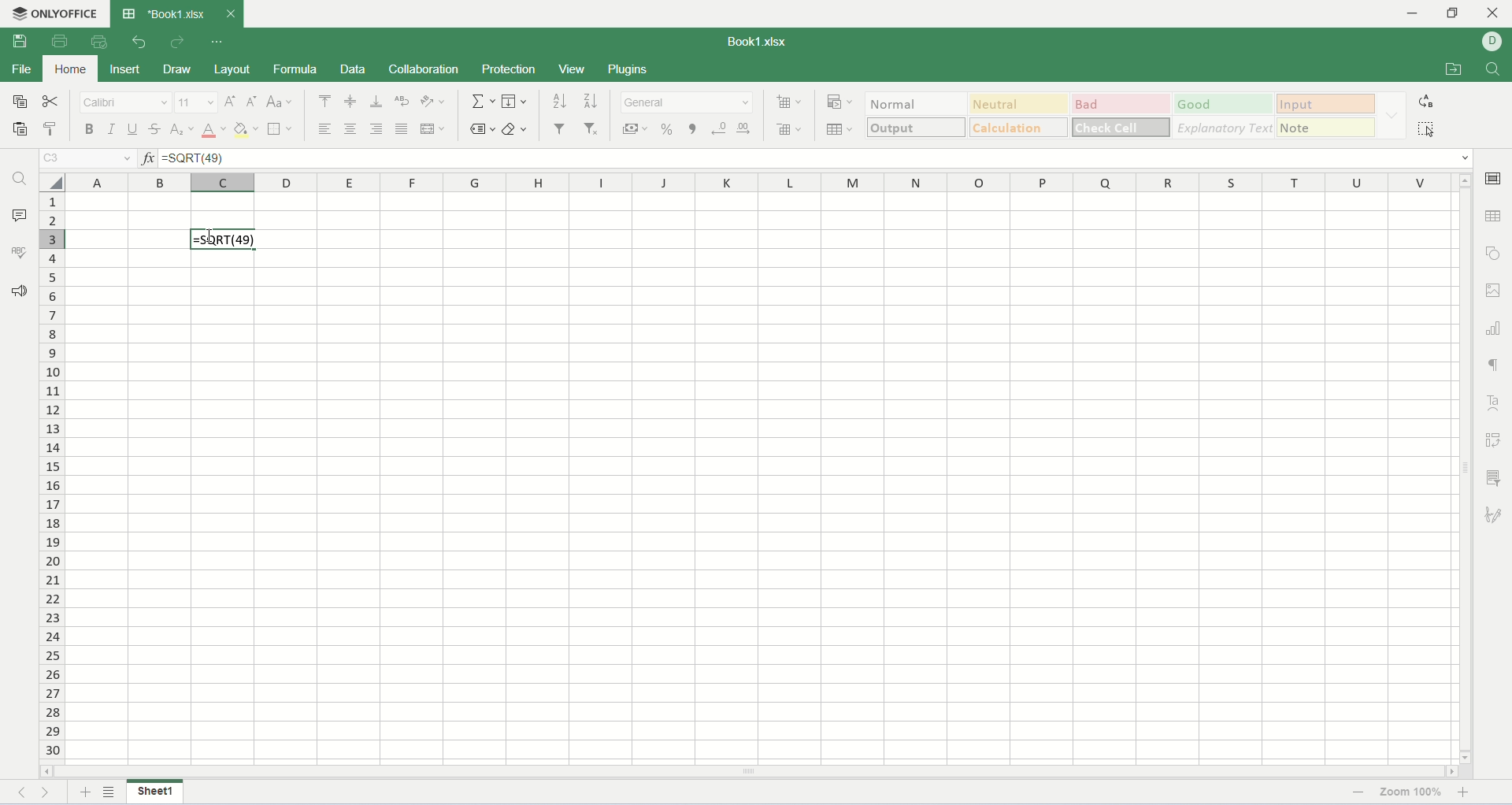 This screenshot has width=1512, height=805. I want to click on protection, so click(510, 68).